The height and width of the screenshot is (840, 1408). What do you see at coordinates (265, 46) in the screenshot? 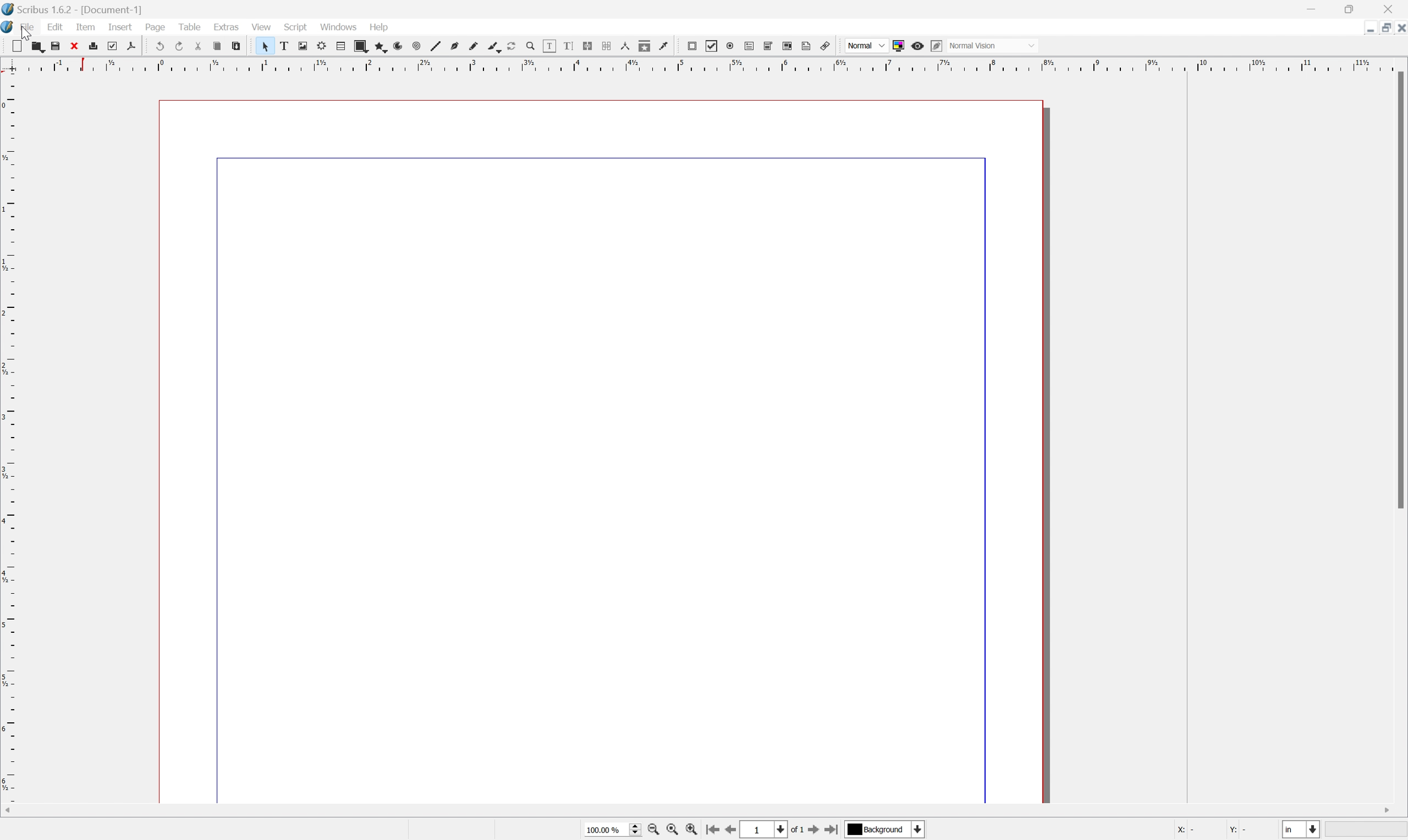
I see `Select item` at bounding box center [265, 46].